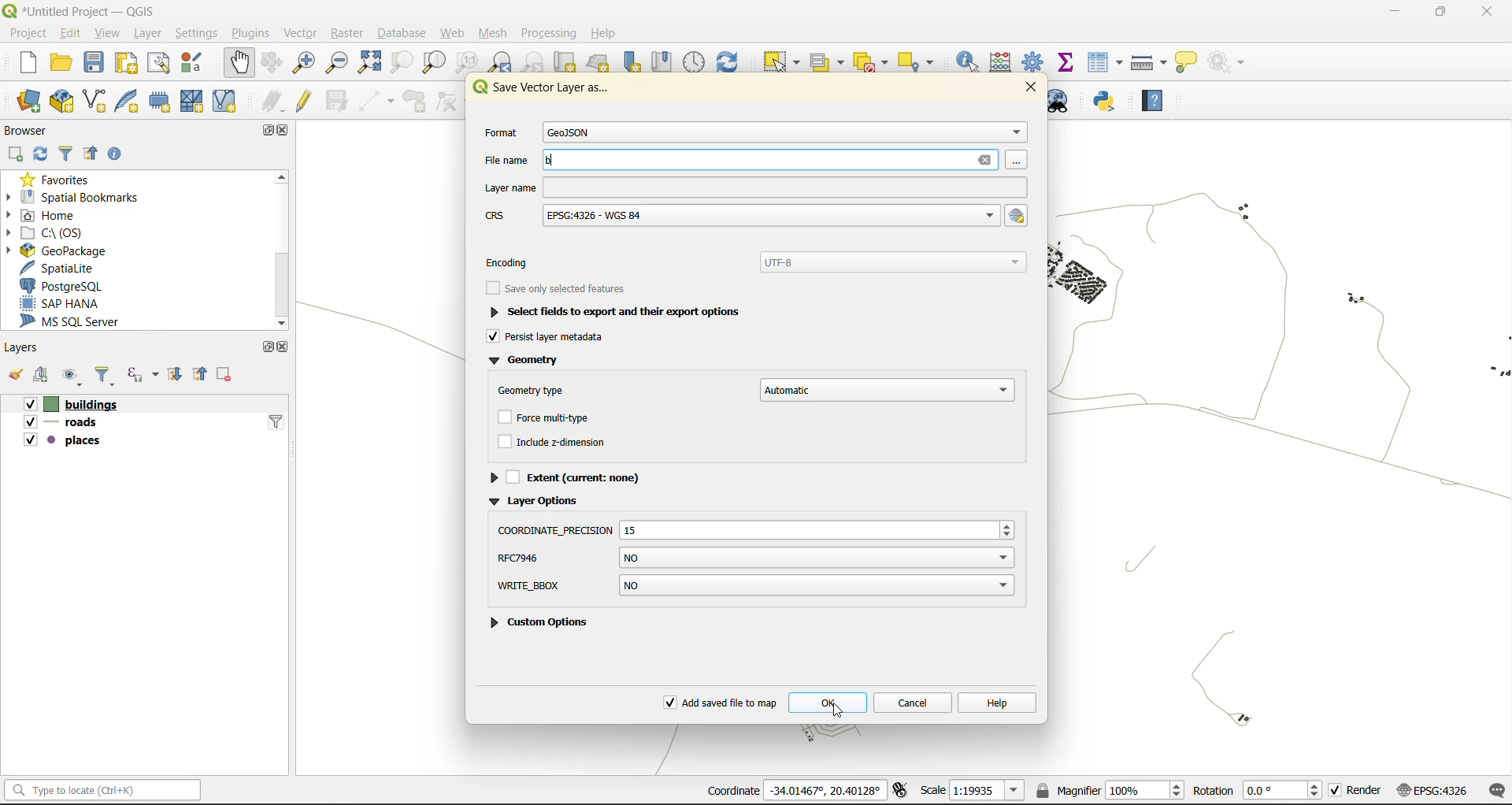 The height and width of the screenshot is (805, 1512). What do you see at coordinates (339, 63) in the screenshot?
I see `zoom out` at bounding box center [339, 63].